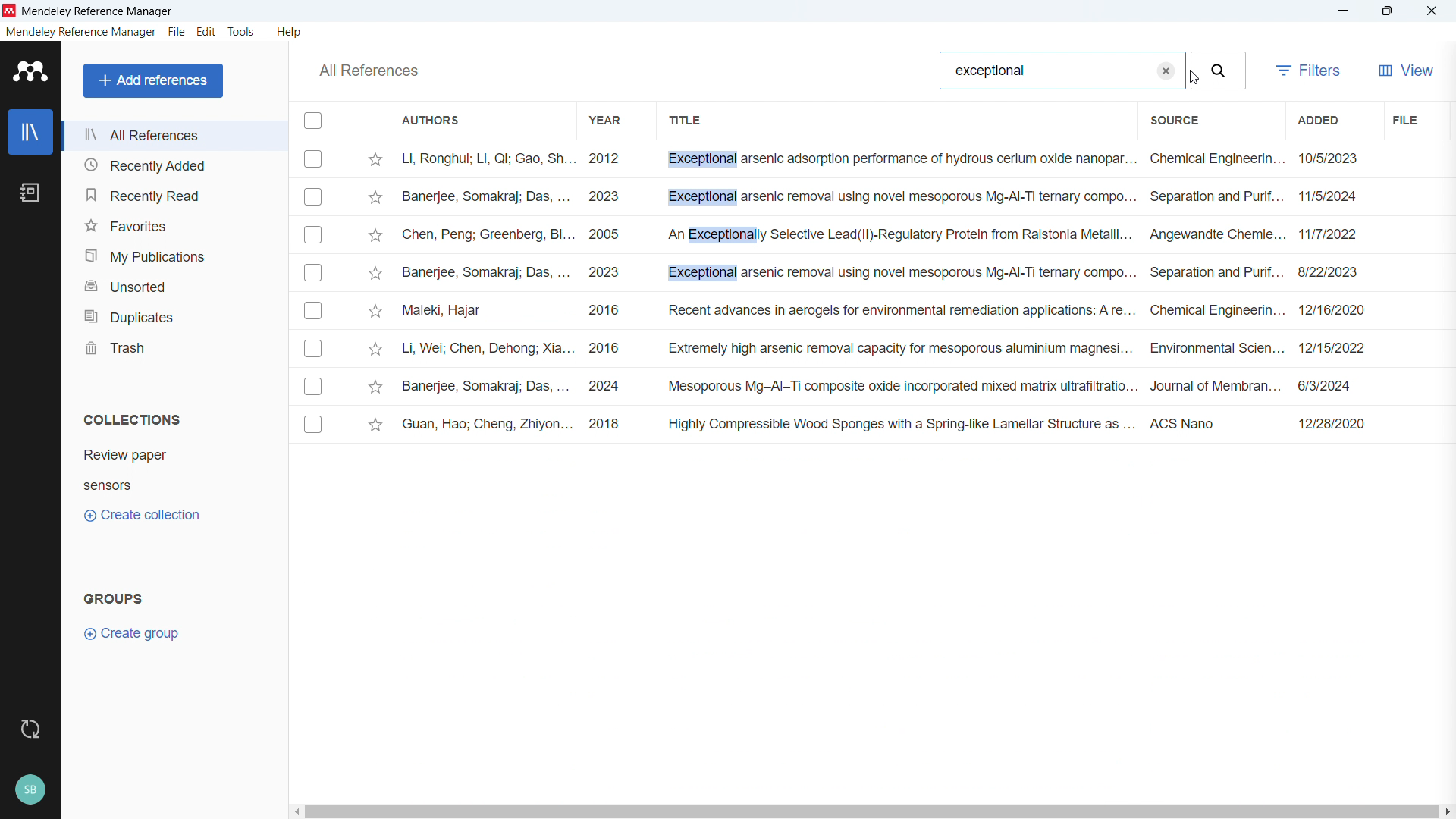 The width and height of the screenshot is (1456, 819). Describe the element at coordinates (689, 121) in the screenshot. I see `Sort by title ` at that location.